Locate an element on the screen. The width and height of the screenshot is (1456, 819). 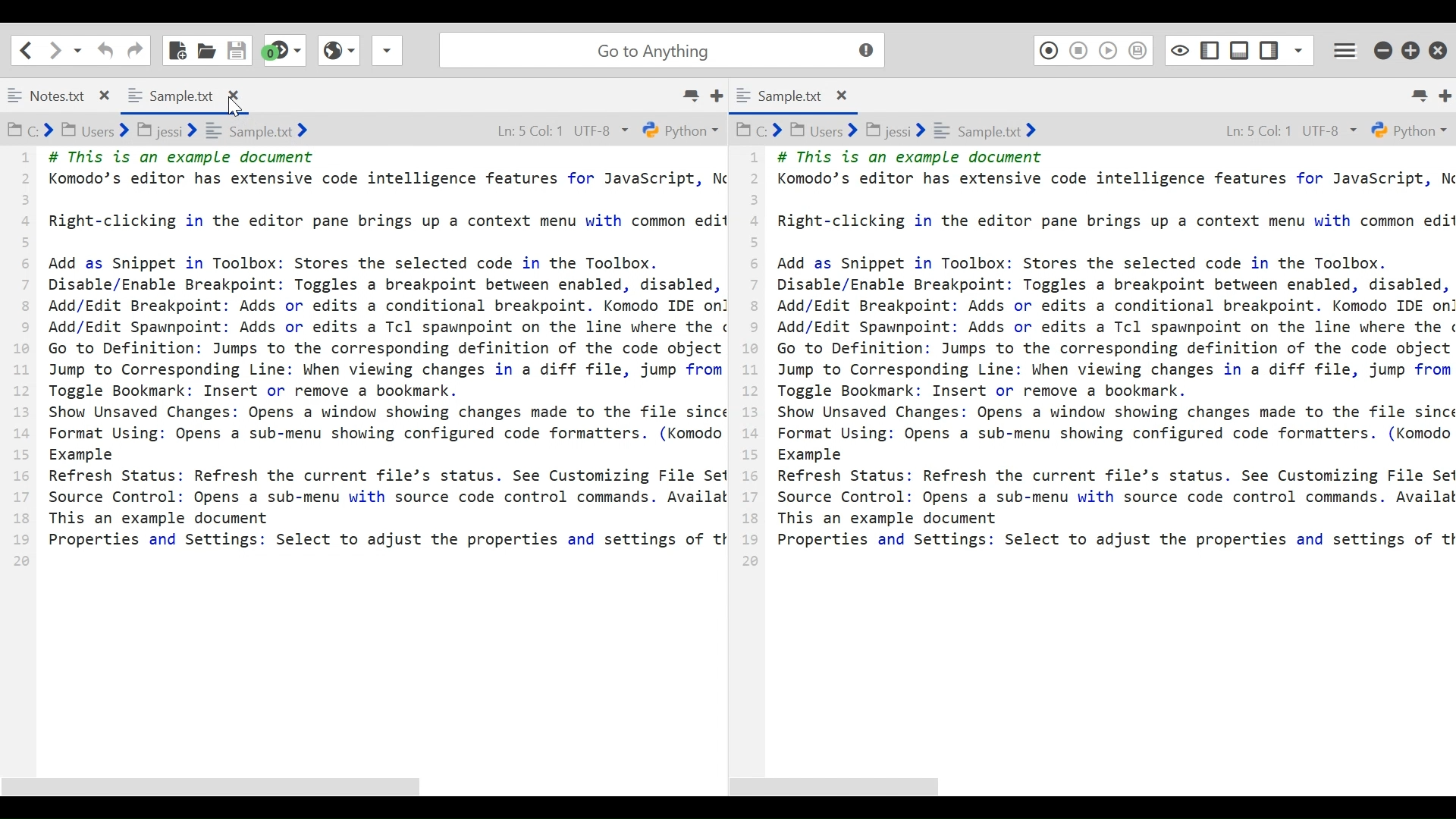
UTF-8 is located at coordinates (1334, 130).